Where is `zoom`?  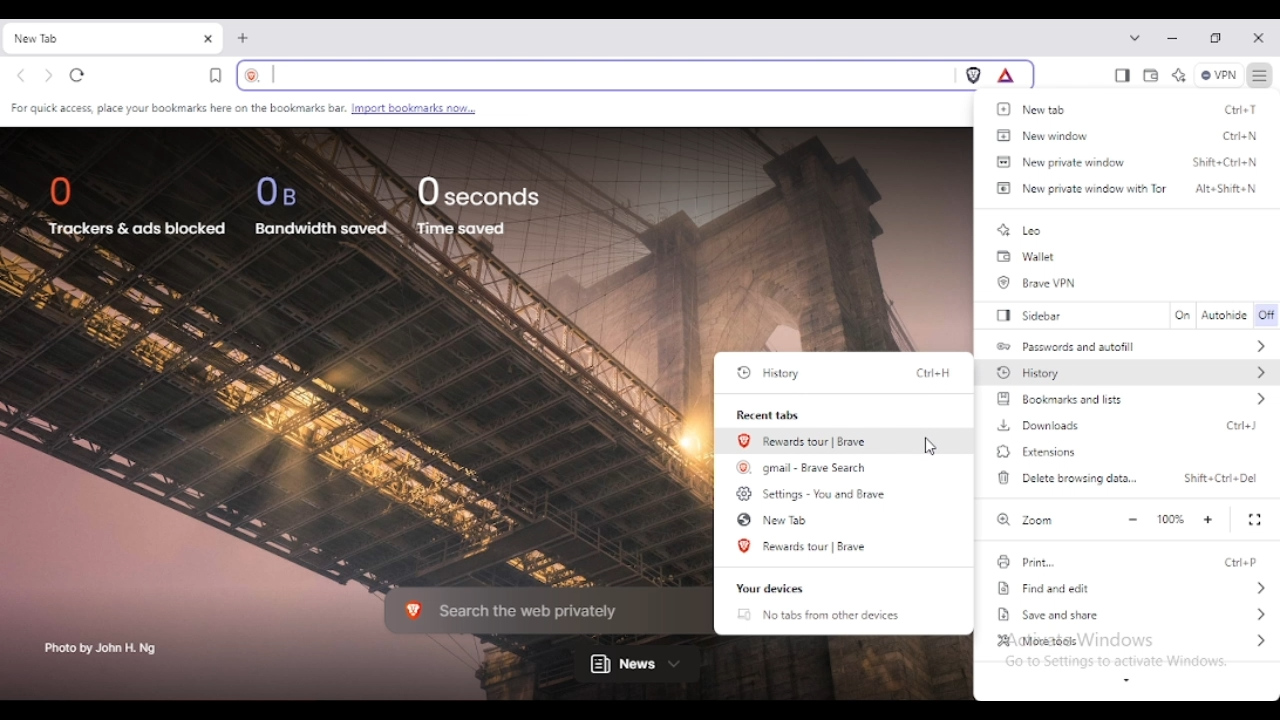
zoom is located at coordinates (1023, 519).